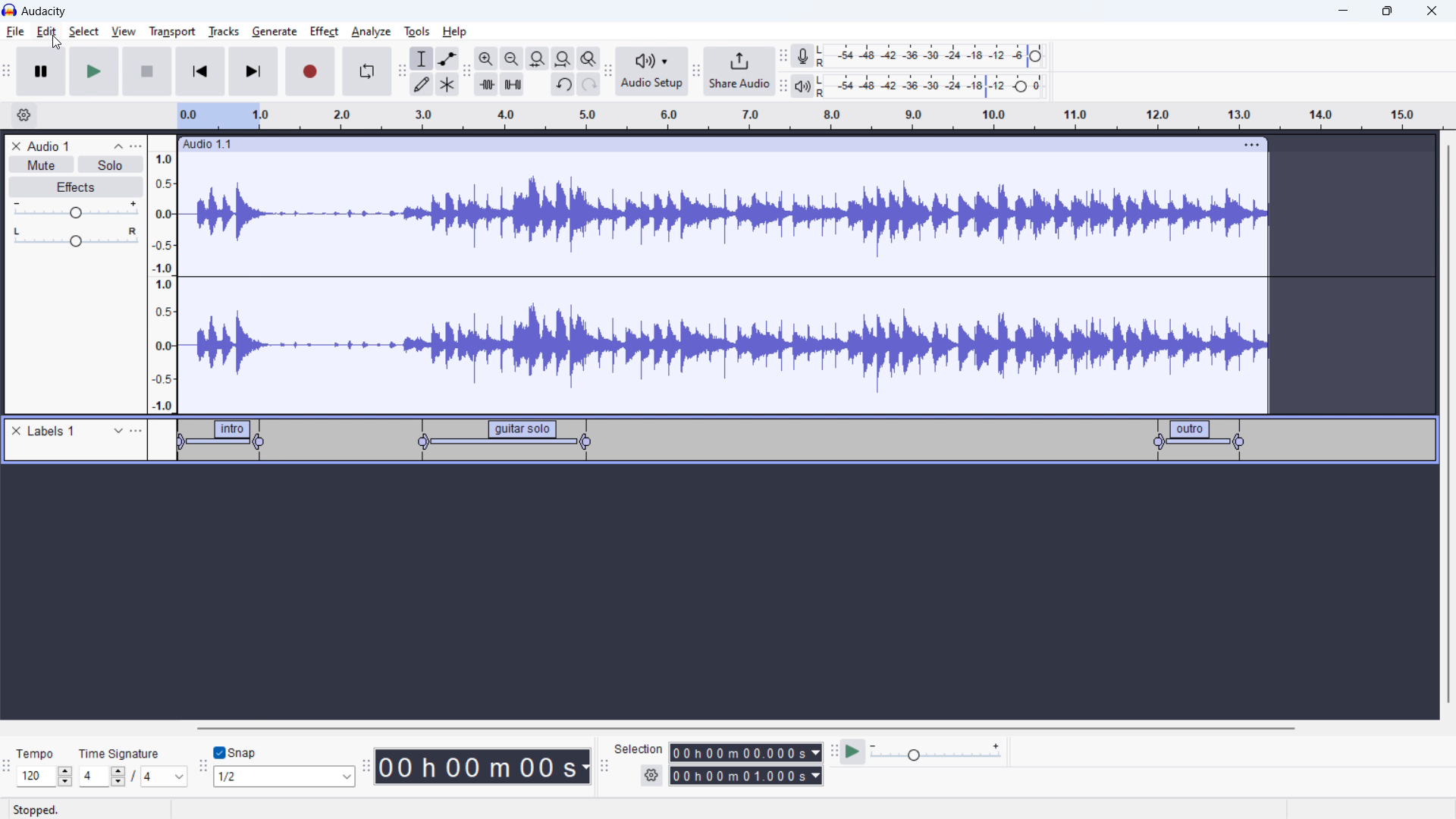 This screenshot has height=819, width=1456. I want to click on edit toolbar, so click(466, 72).